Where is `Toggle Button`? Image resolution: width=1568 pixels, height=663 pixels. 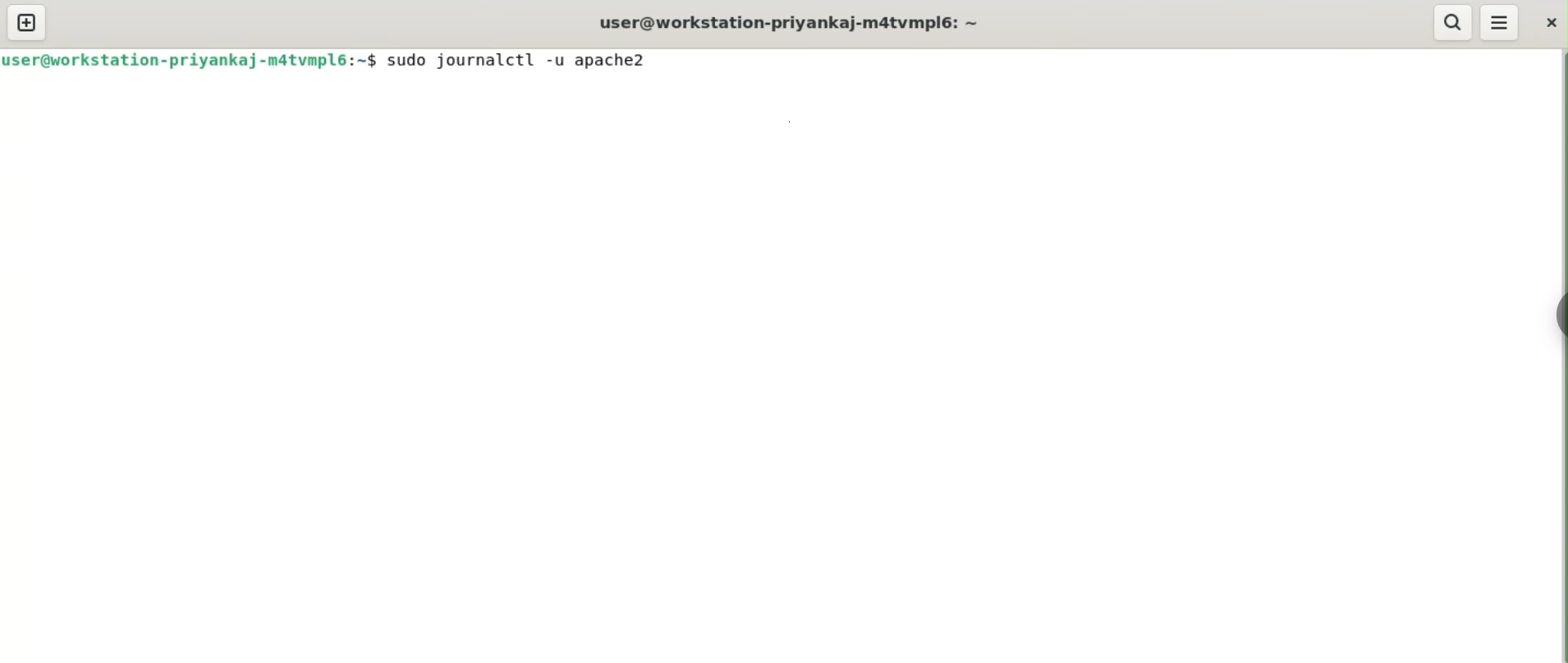 Toggle Button is located at coordinates (1558, 300).